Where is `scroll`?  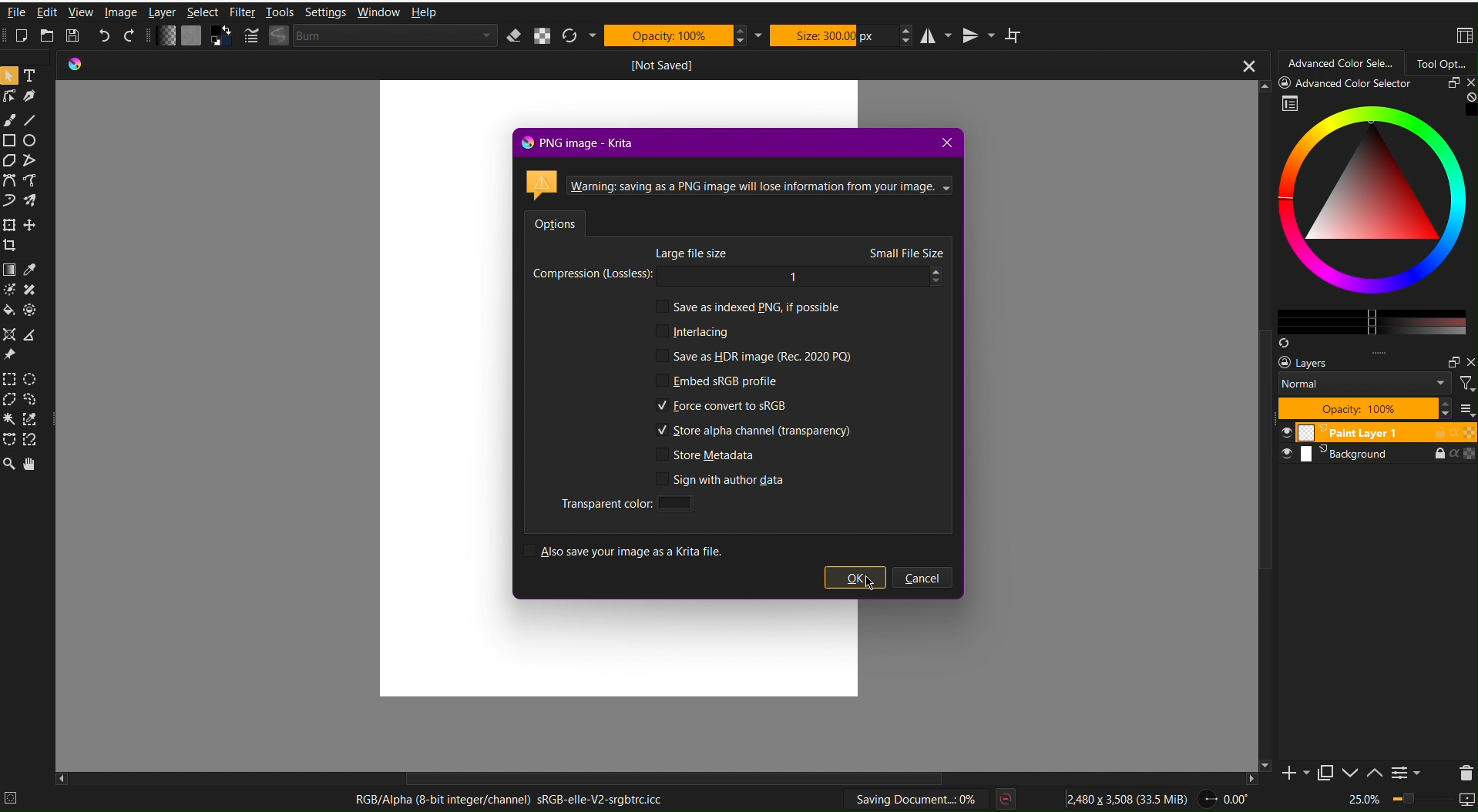
scroll is located at coordinates (678, 780).